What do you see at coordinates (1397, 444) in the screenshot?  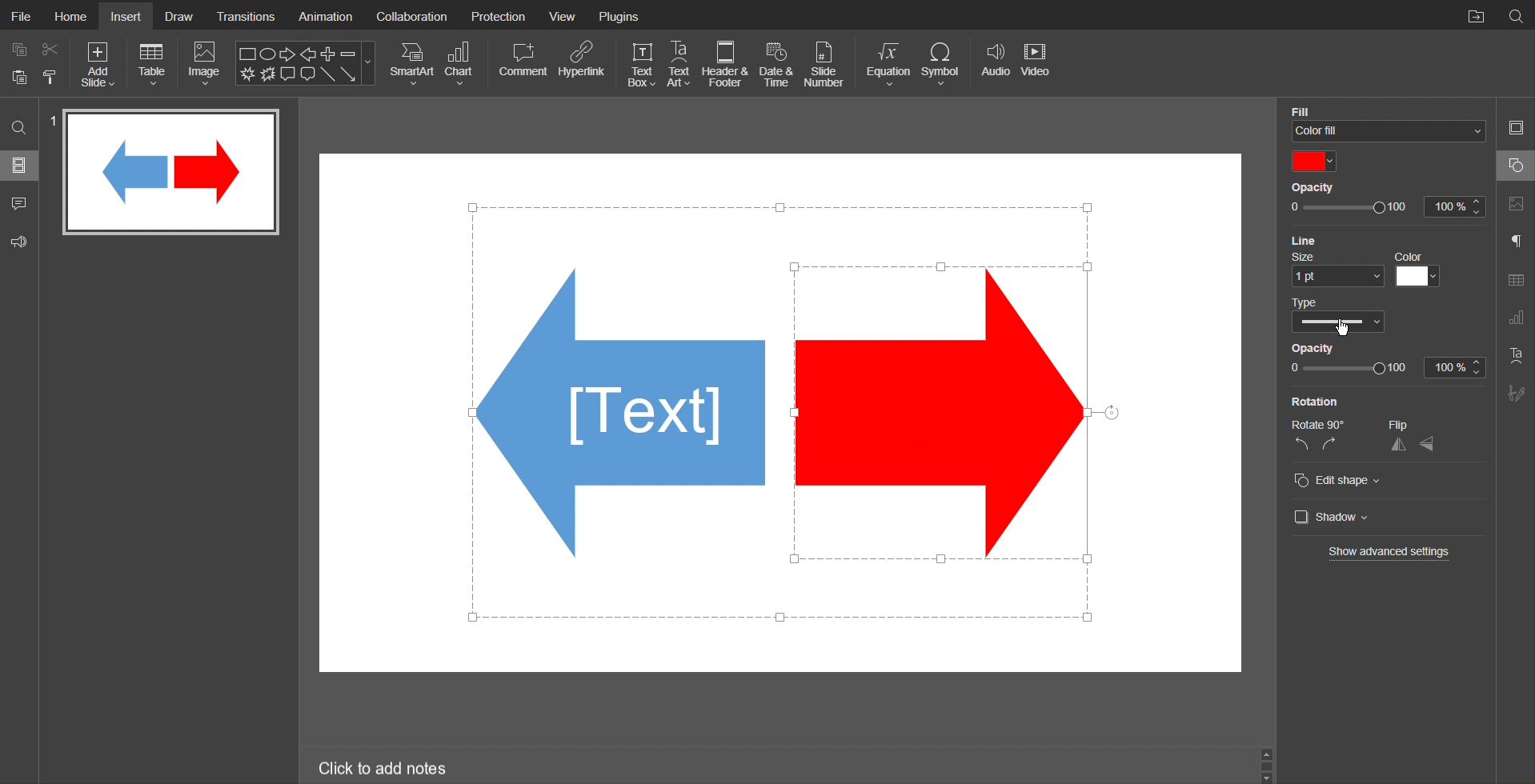 I see `horizontal flip` at bounding box center [1397, 444].